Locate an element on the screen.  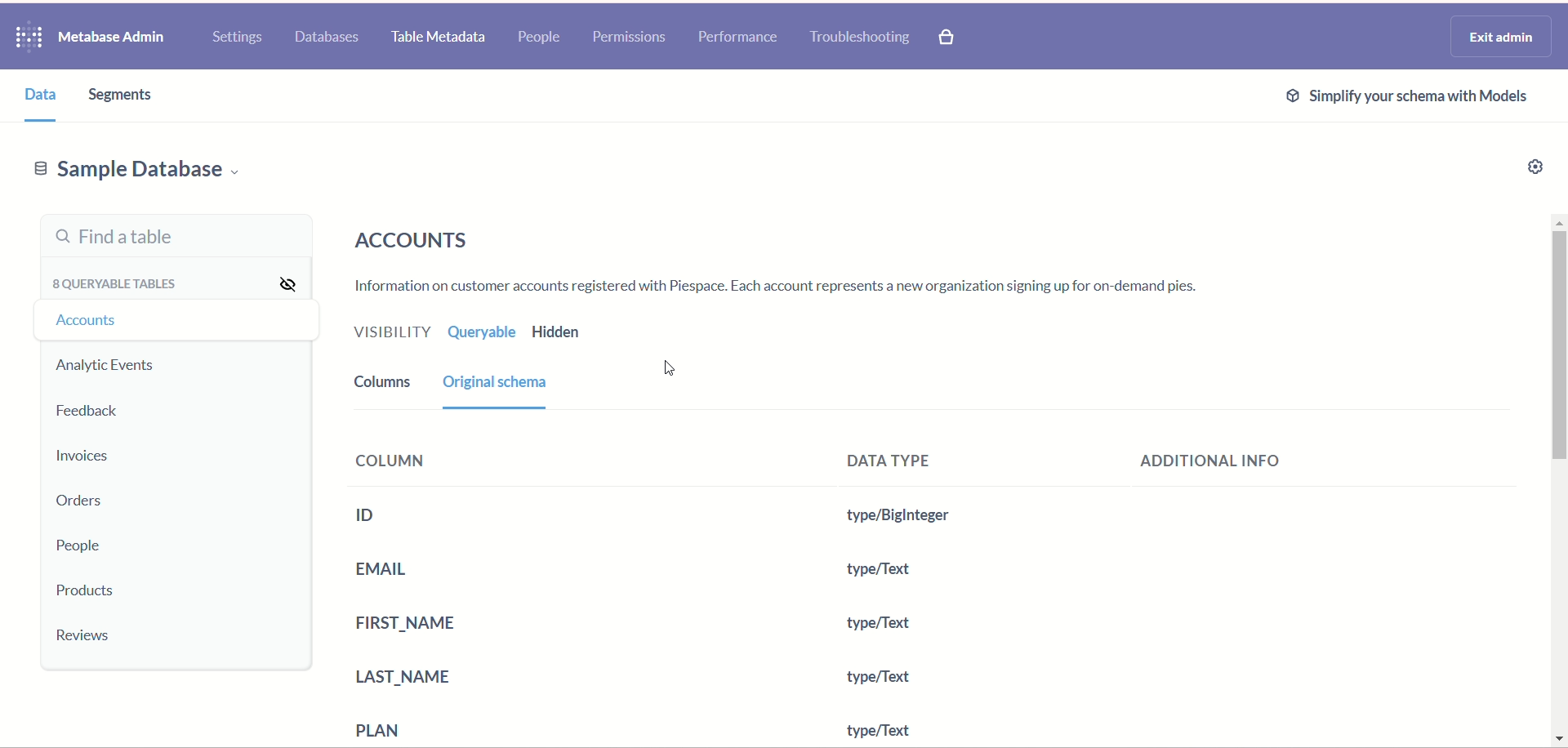
first name is located at coordinates (408, 625).